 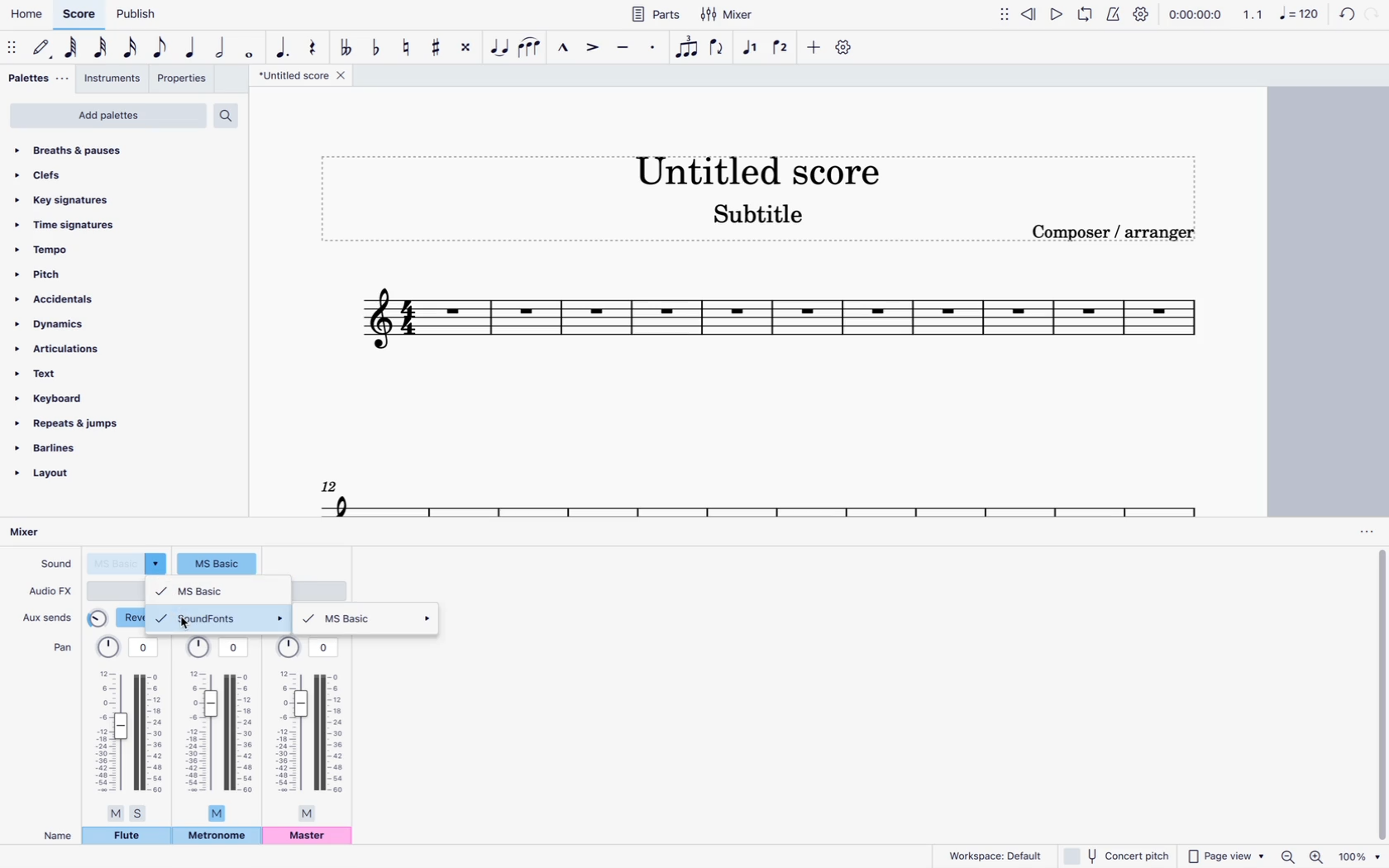 I want to click on dynamics, so click(x=59, y=325).